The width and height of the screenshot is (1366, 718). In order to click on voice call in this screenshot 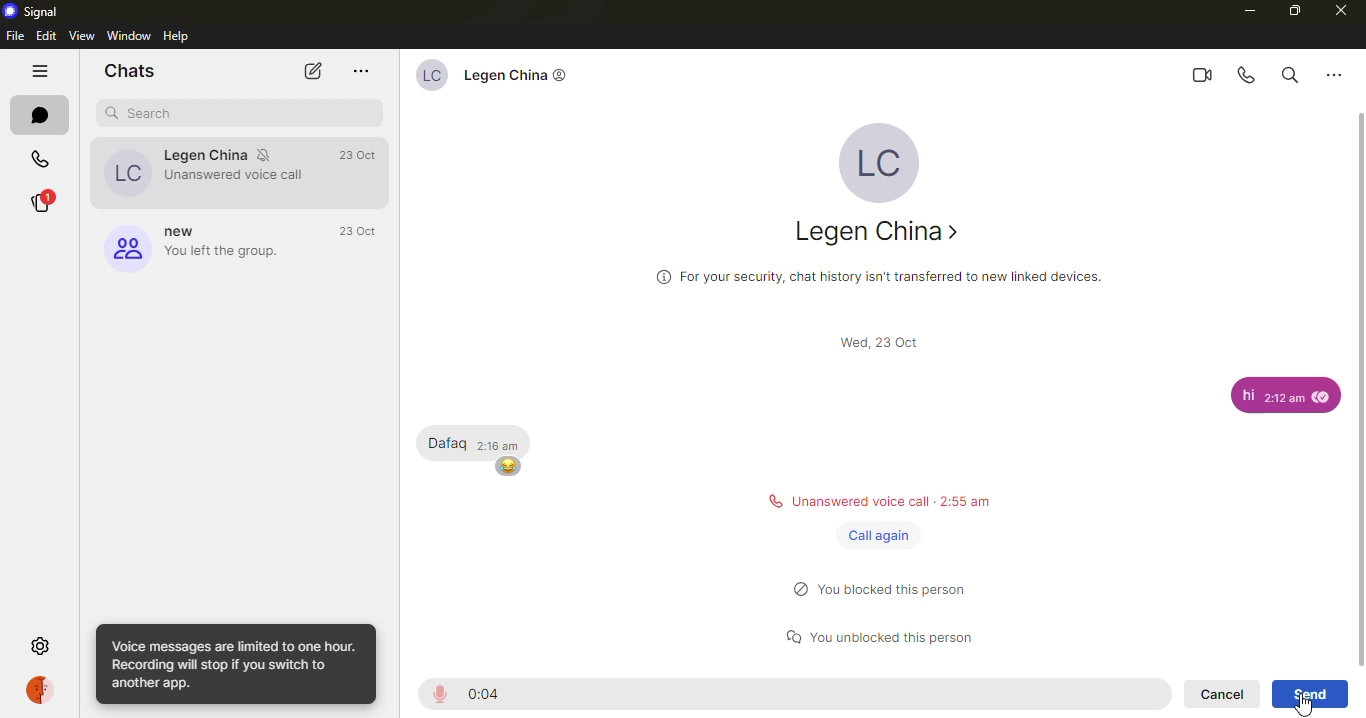, I will do `click(1247, 72)`.